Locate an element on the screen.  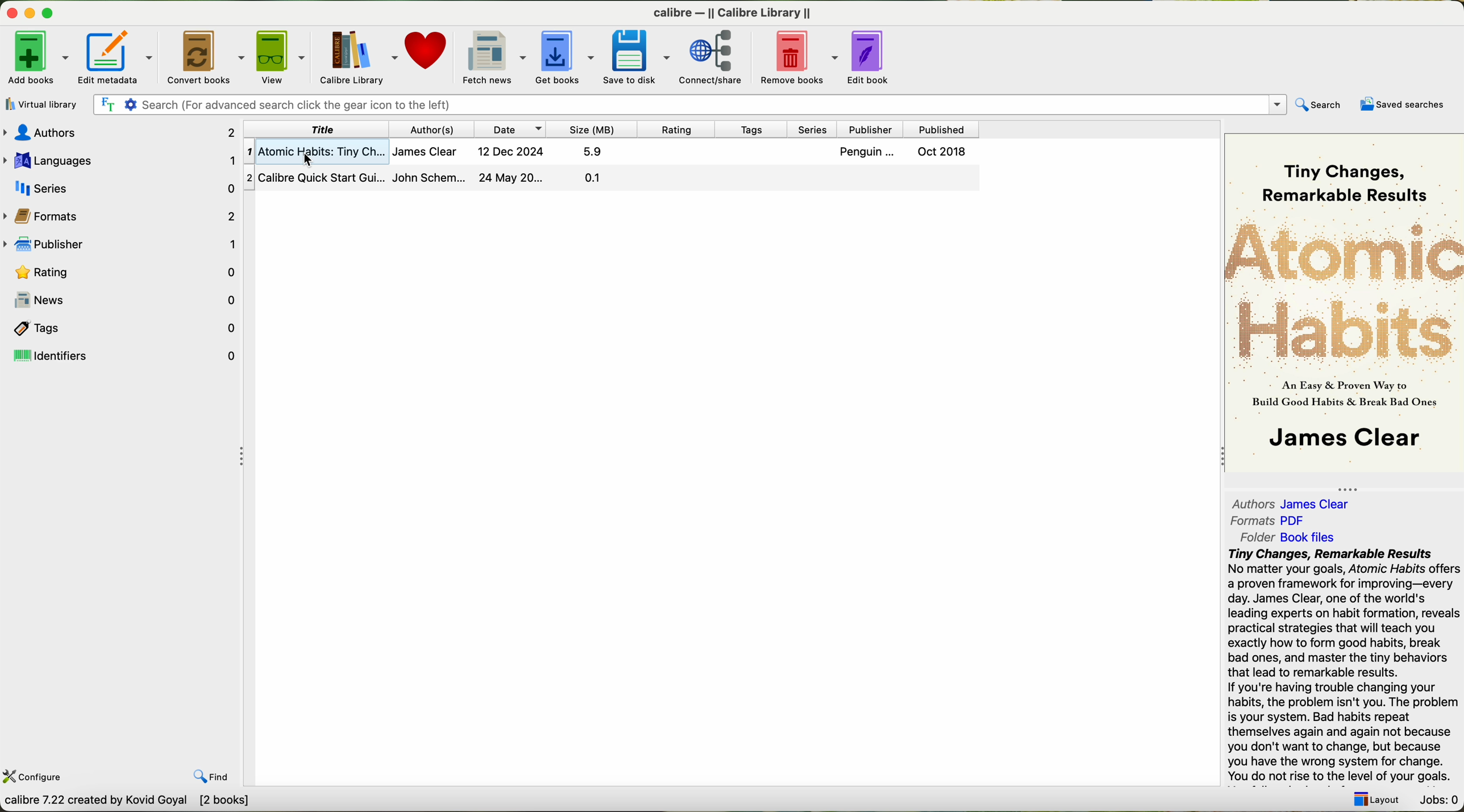
view is located at coordinates (282, 56).